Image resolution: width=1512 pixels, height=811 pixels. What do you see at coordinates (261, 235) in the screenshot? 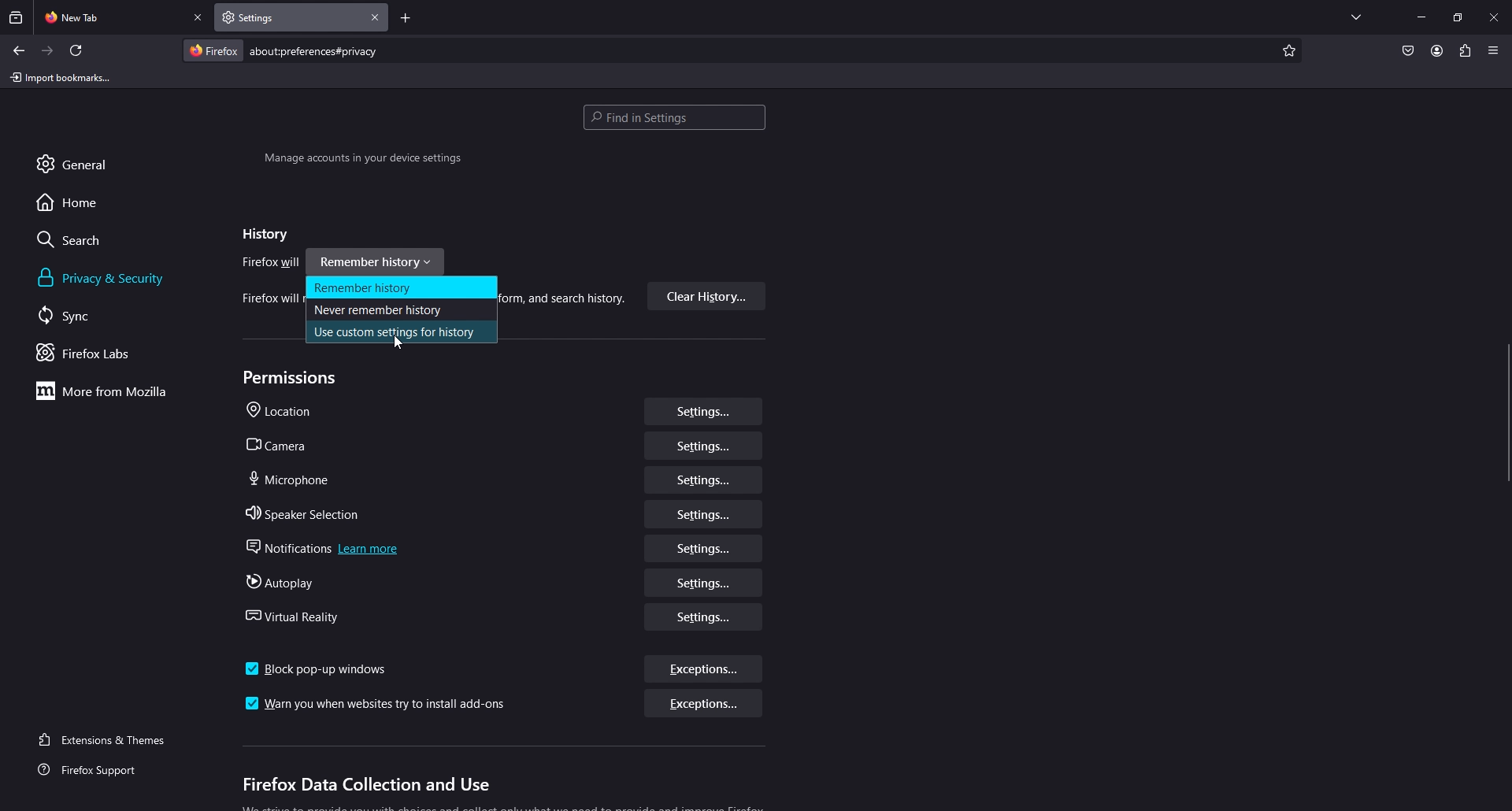
I see `history` at bounding box center [261, 235].